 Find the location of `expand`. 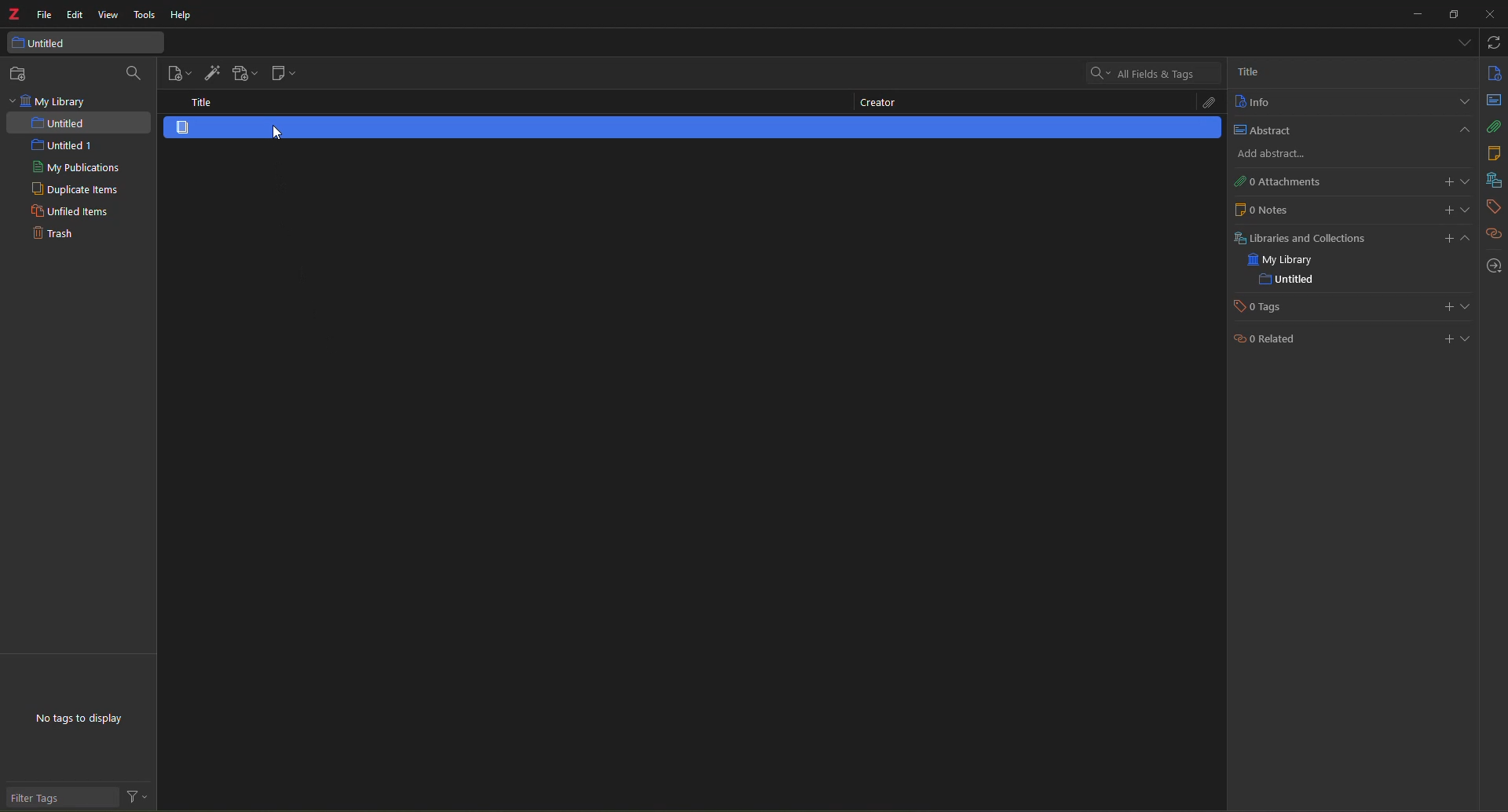

expand is located at coordinates (1462, 102).